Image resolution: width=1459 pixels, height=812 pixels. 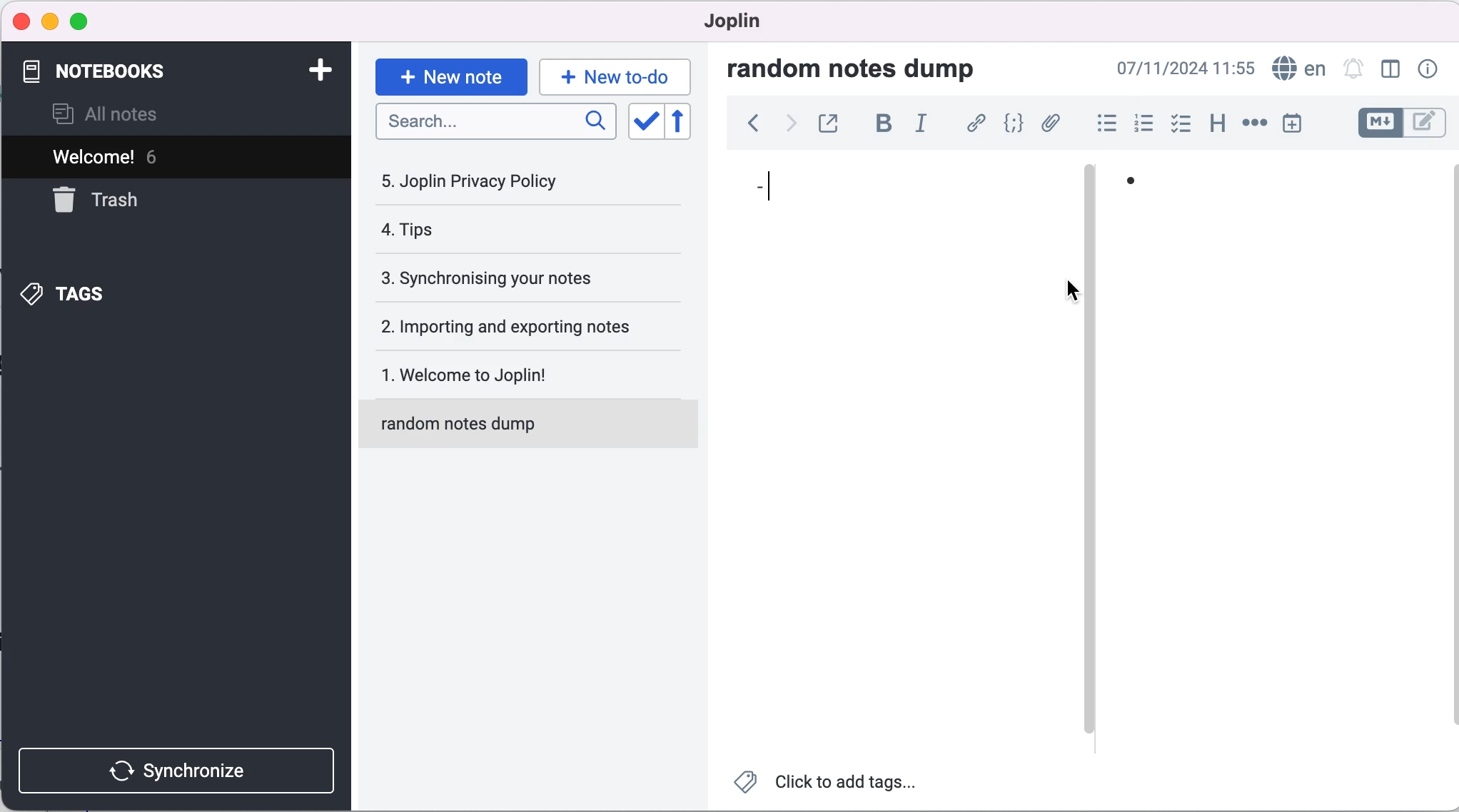 What do you see at coordinates (79, 23) in the screenshot?
I see `maximize` at bounding box center [79, 23].